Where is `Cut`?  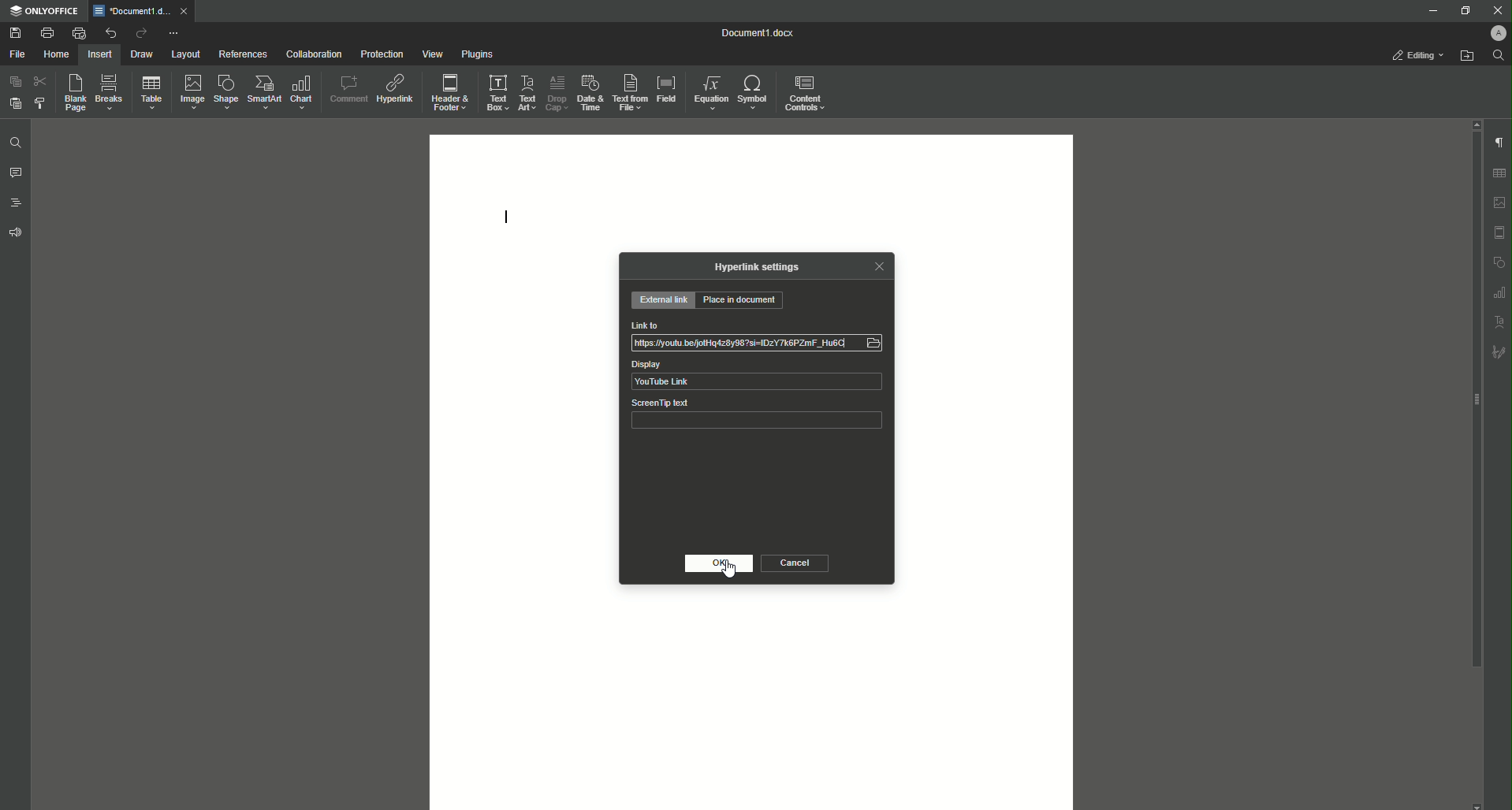
Cut is located at coordinates (39, 82).